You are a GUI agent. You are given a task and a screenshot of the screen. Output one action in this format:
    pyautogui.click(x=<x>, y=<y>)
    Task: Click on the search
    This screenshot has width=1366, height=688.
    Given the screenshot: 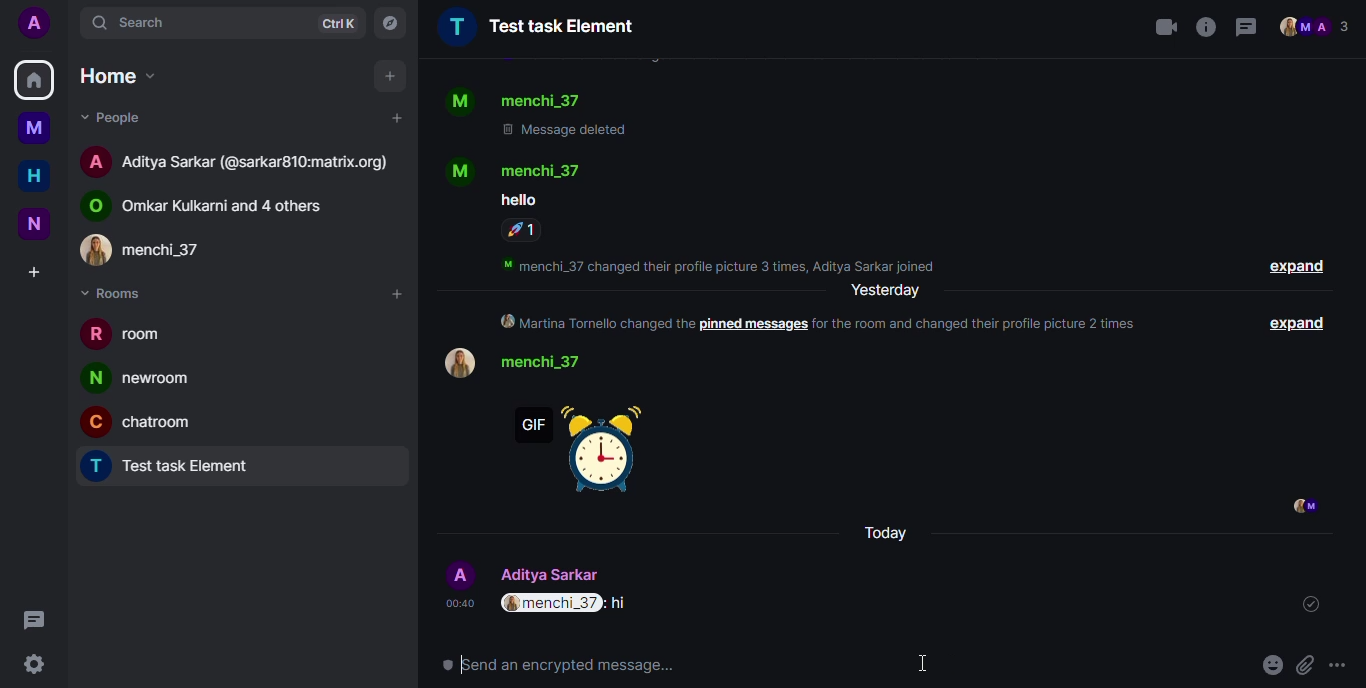 What is the action you would take?
    pyautogui.click(x=139, y=19)
    